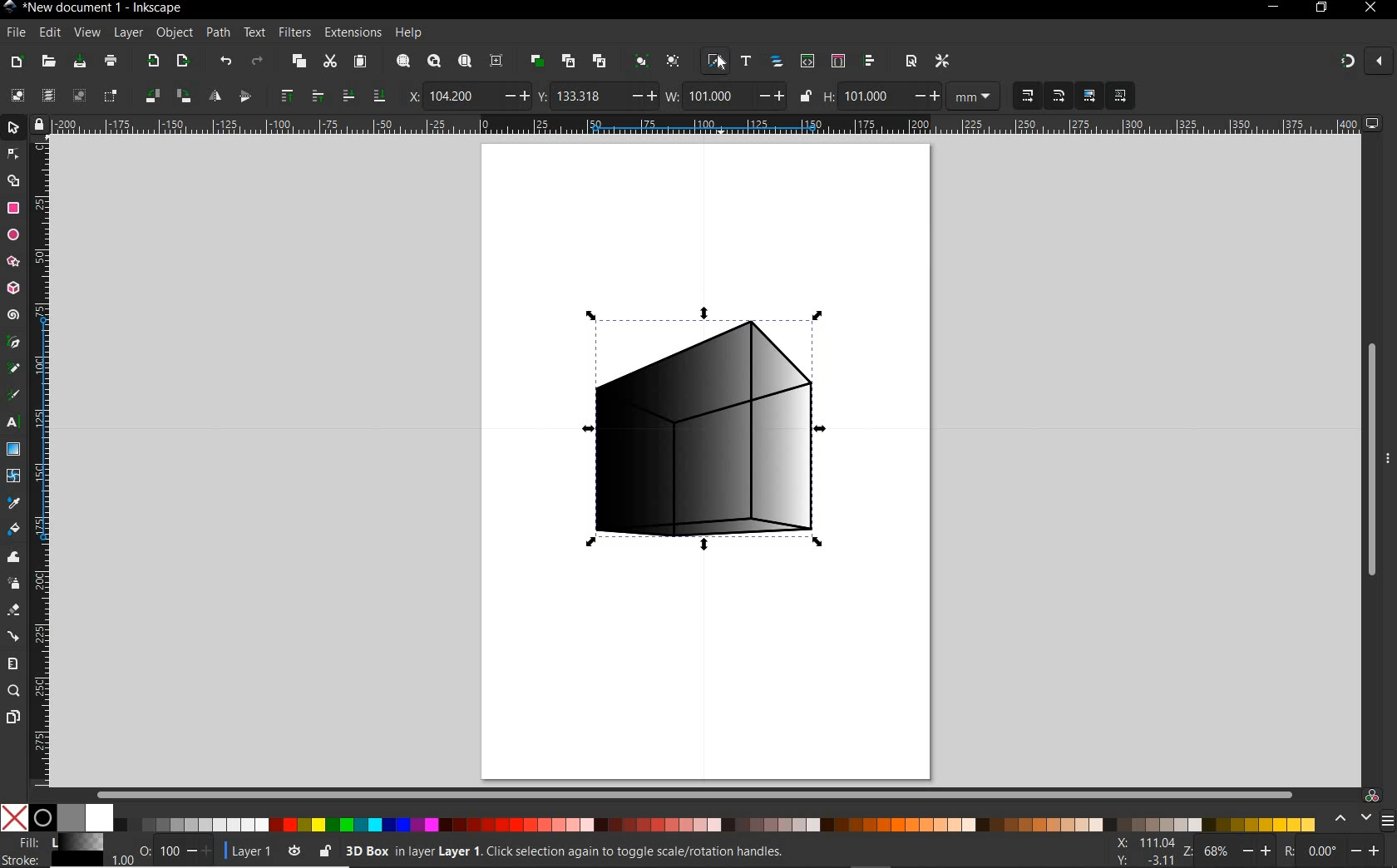  Describe the element at coordinates (12, 287) in the screenshot. I see `3D BOX TOOL` at that location.